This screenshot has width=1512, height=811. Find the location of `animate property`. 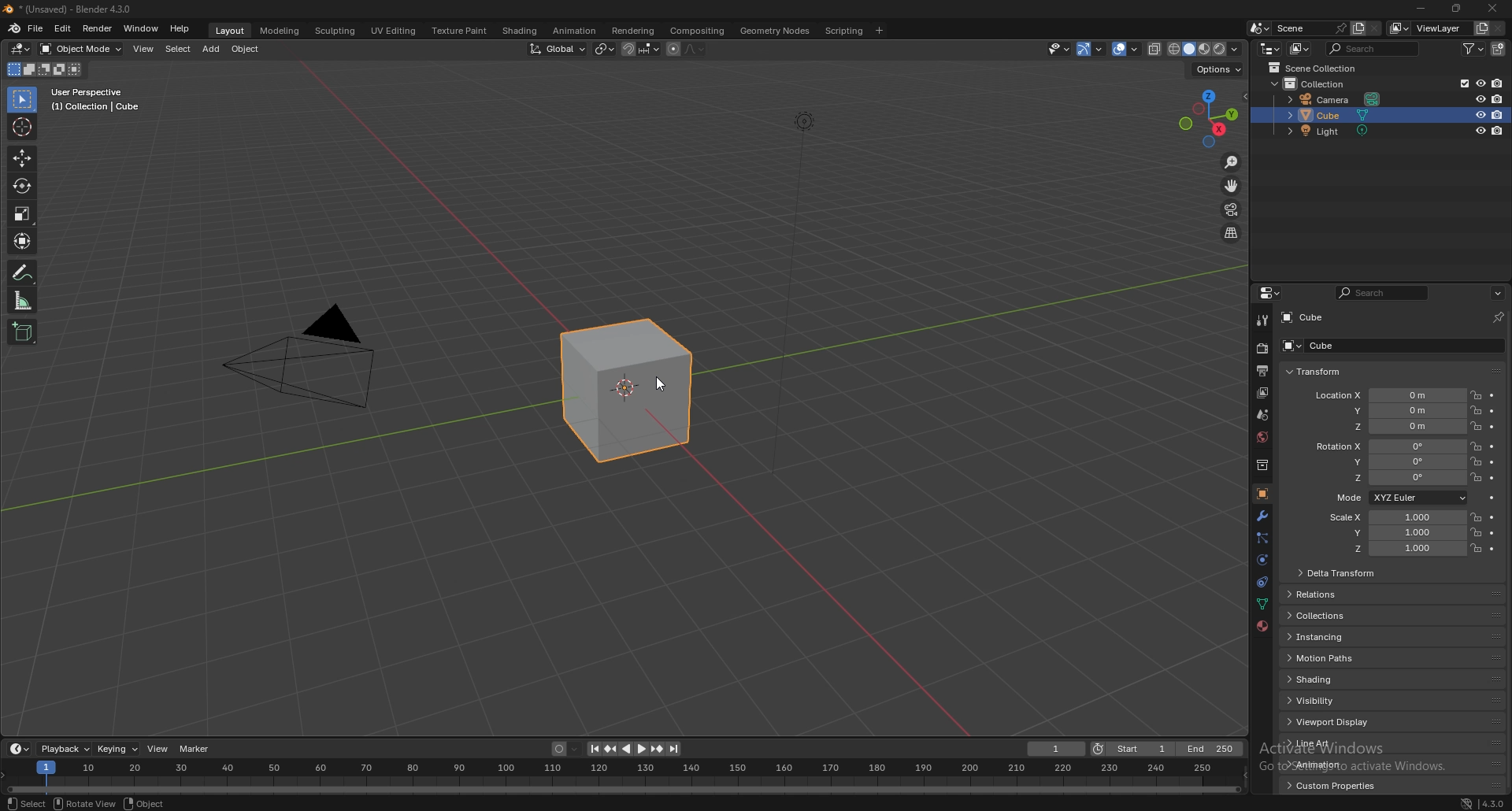

animate property is located at coordinates (1492, 411).